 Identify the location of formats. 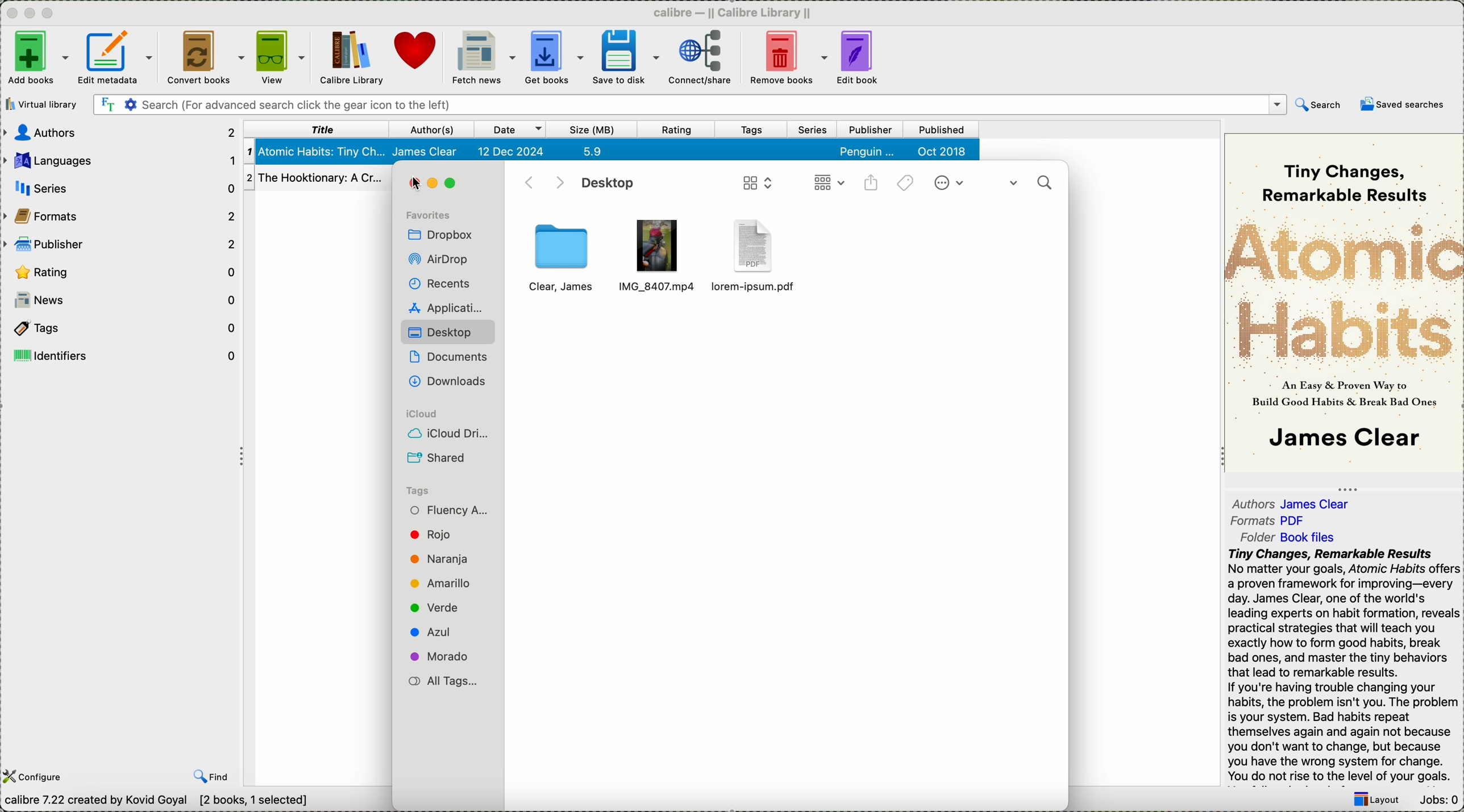
(1271, 522).